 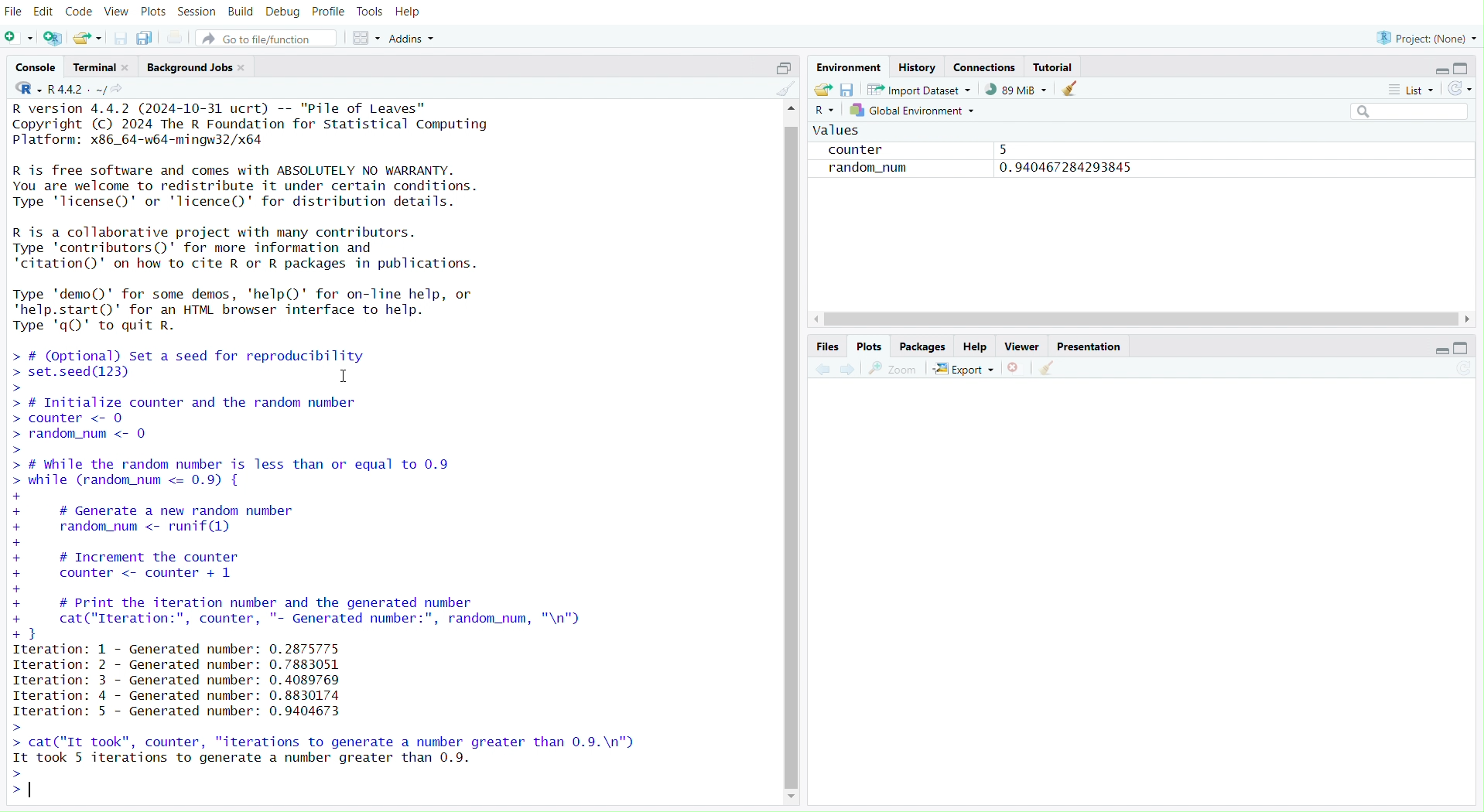 I want to click on Export, so click(x=969, y=368).